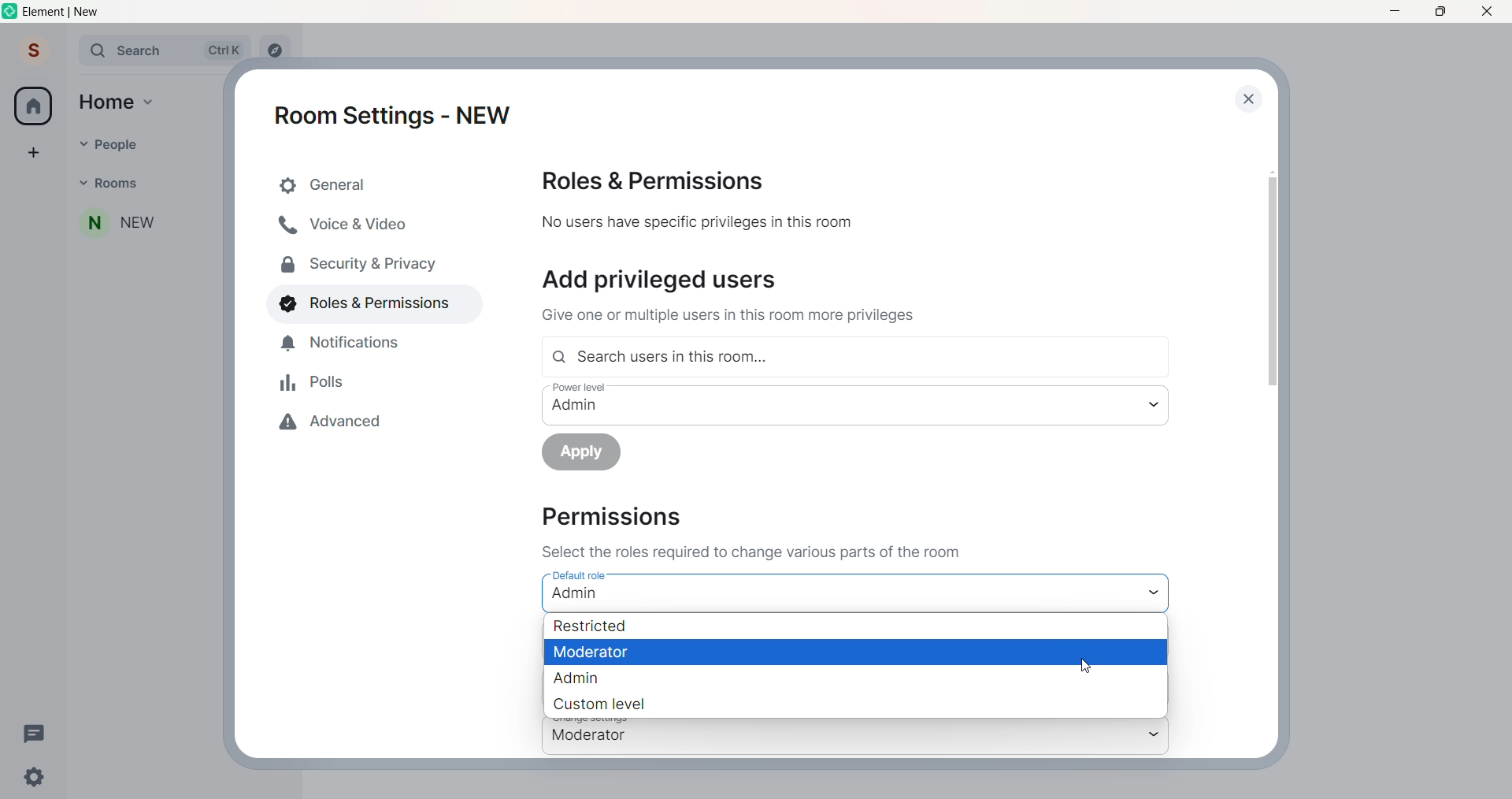 The width and height of the screenshot is (1512, 799). What do you see at coordinates (32, 147) in the screenshot?
I see `create space` at bounding box center [32, 147].